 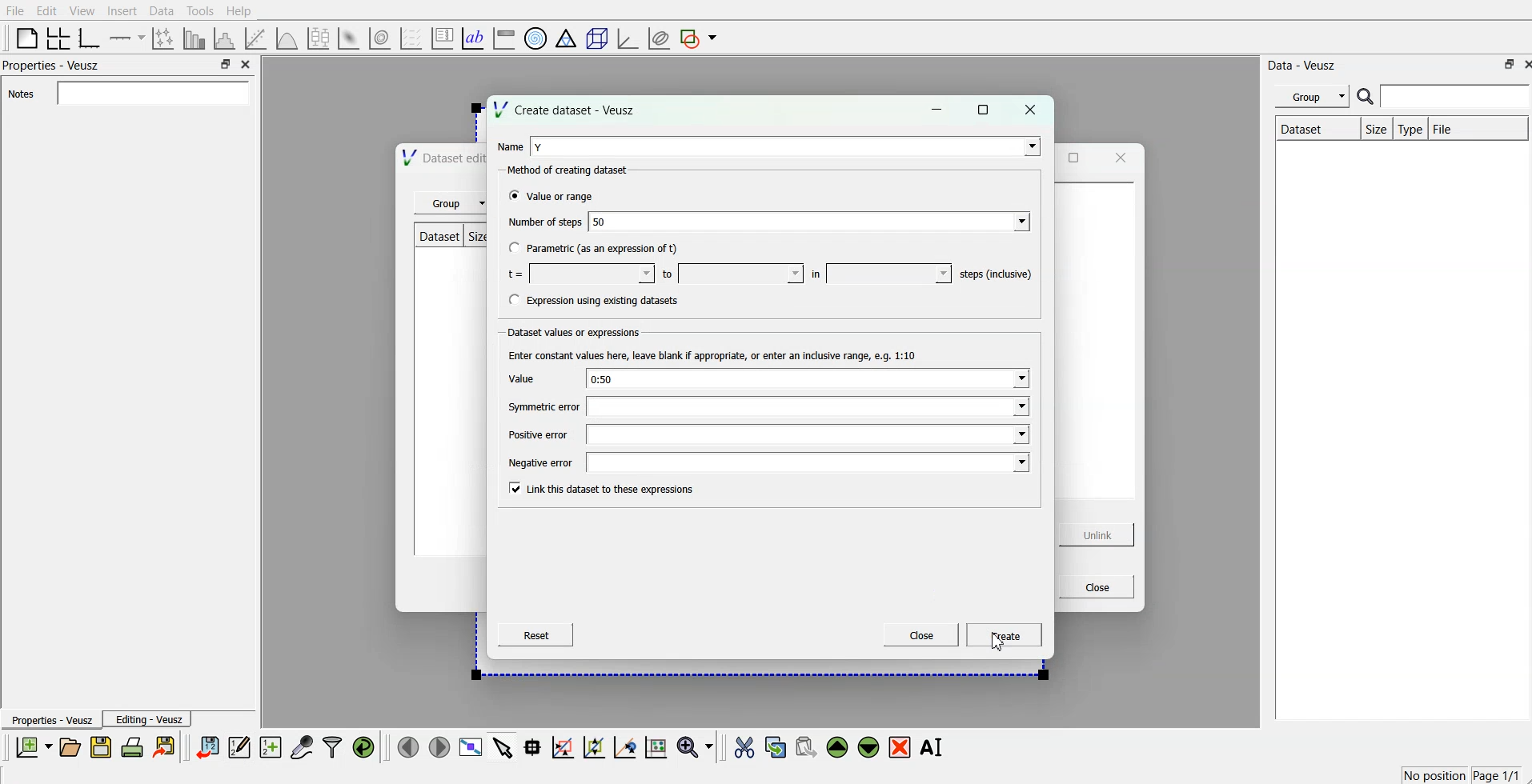 What do you see at coordinates (574, 170) in the screenshot?
I see `Method of creating dataset:` at bounding box center [574, 170].